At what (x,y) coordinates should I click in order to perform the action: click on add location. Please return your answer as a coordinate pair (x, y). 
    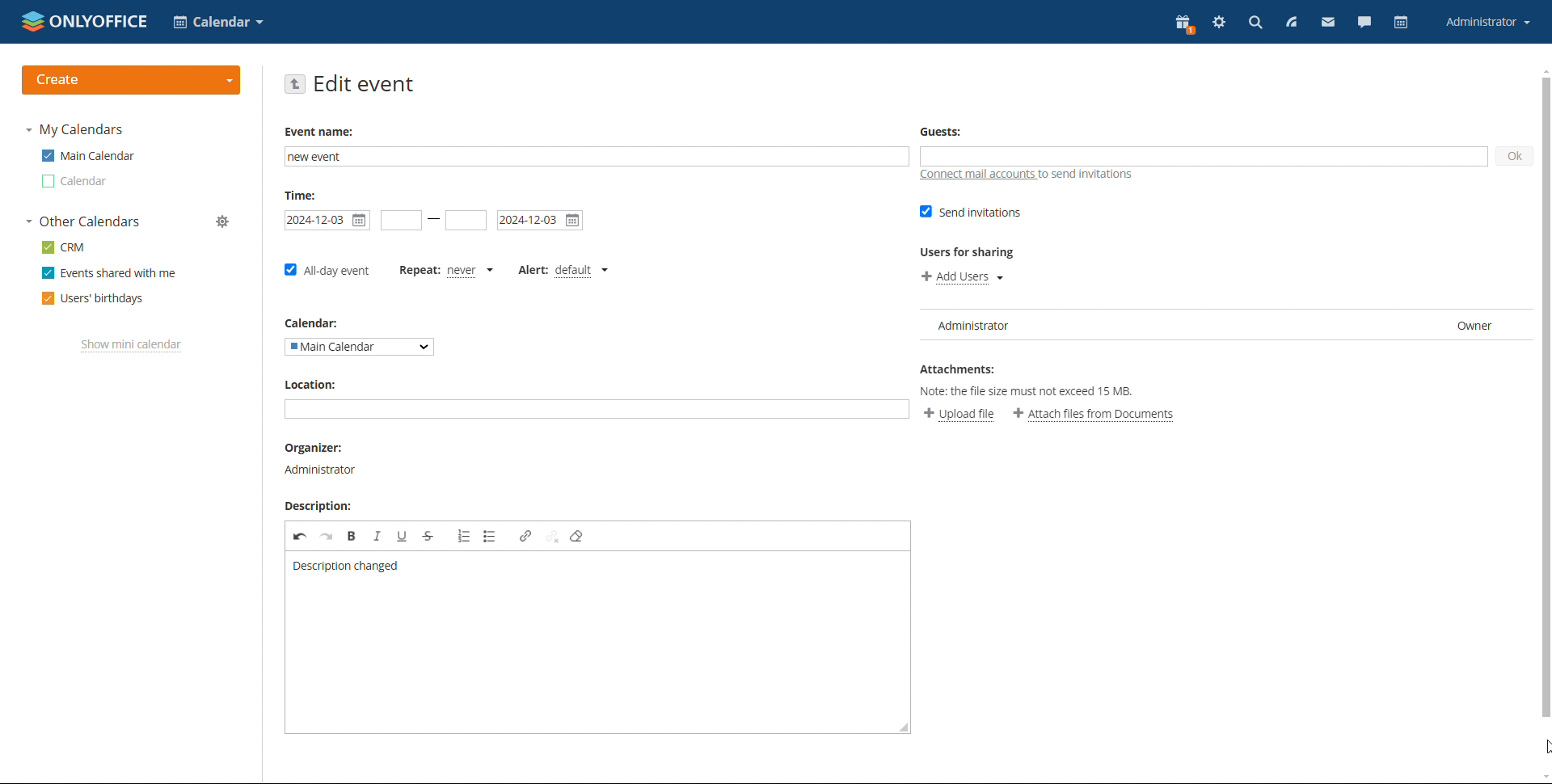
    Looking at the image, I should click on (597, 410).